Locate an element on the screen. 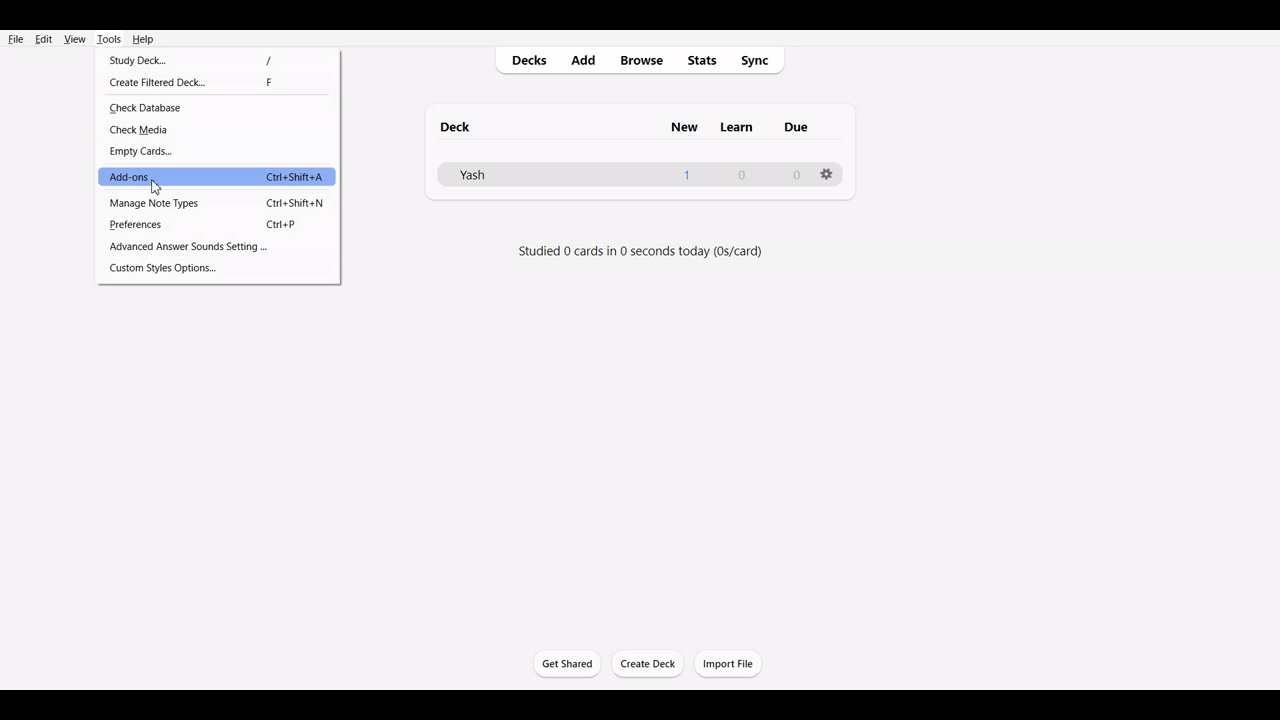  Empty Cards is located at coordinates (218, 152).